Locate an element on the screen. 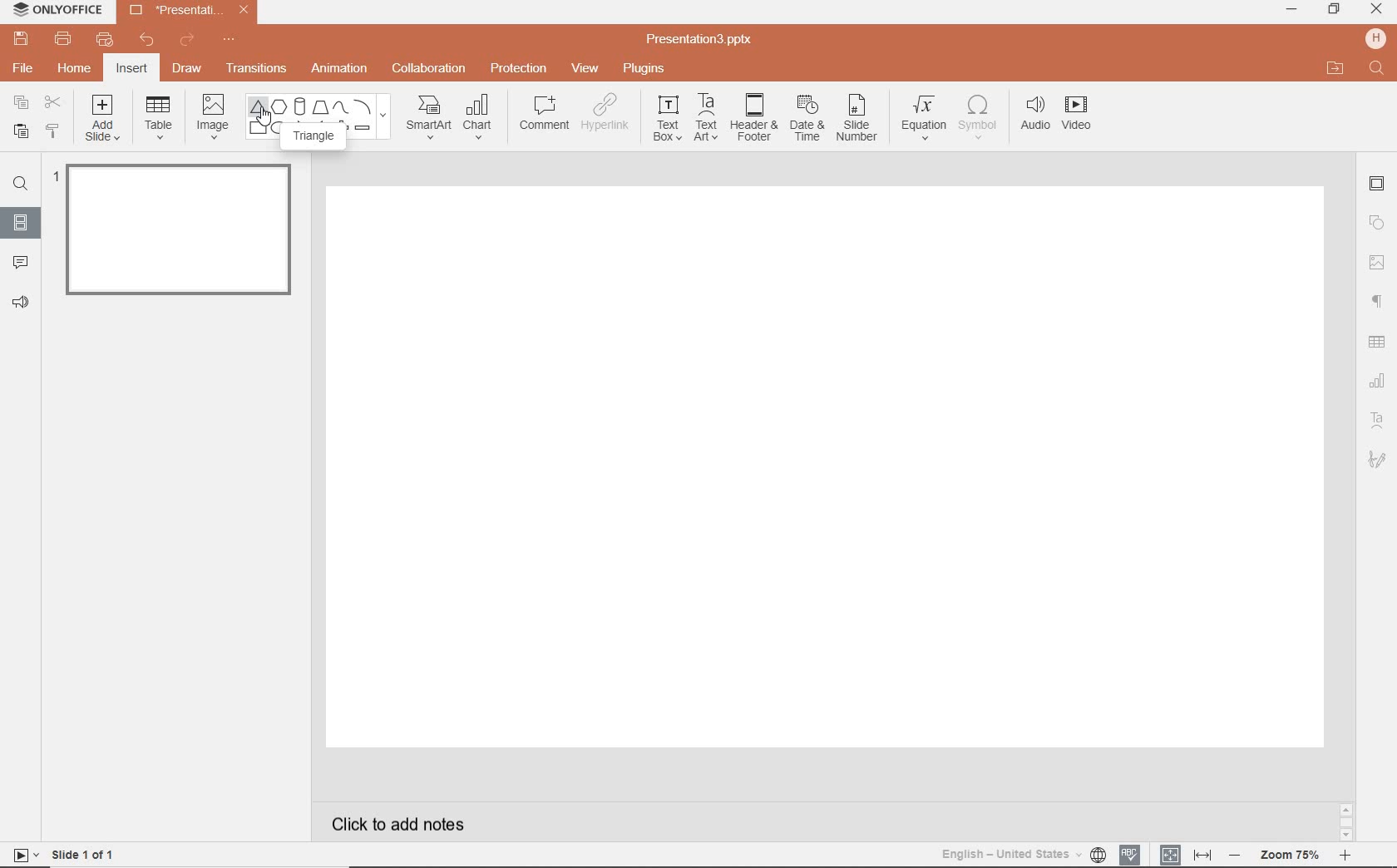  INSERT is located at coordinates (131, 70).